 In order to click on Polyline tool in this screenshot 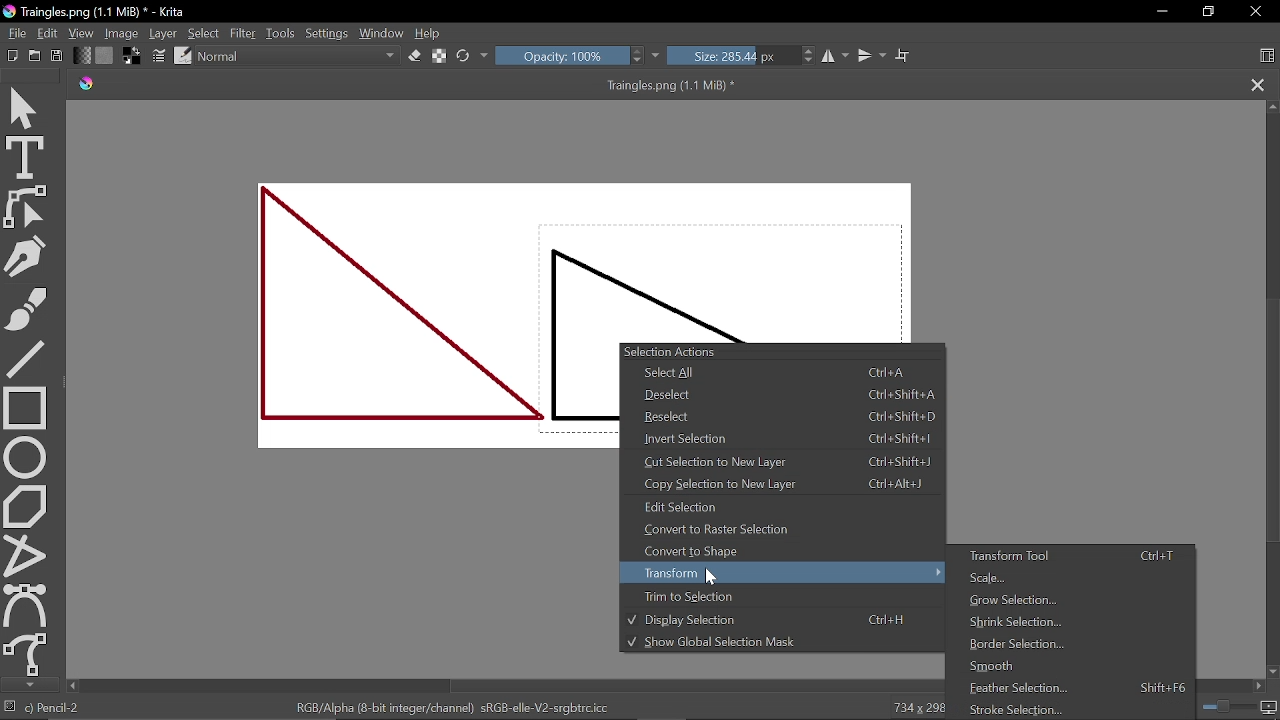, I will do `click(25, 555)`.